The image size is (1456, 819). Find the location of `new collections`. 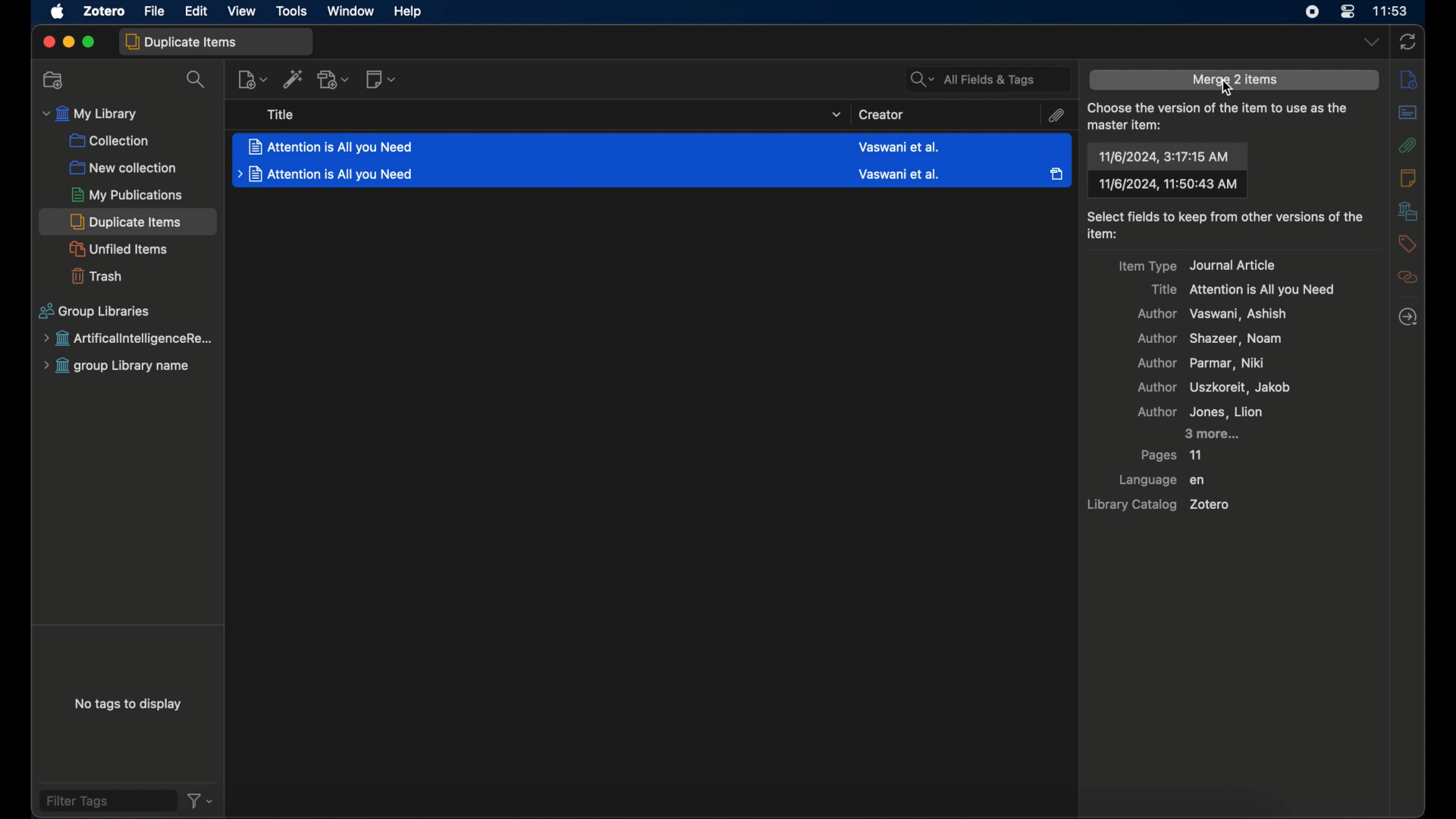

new collections is located at coordinates (124, 167).